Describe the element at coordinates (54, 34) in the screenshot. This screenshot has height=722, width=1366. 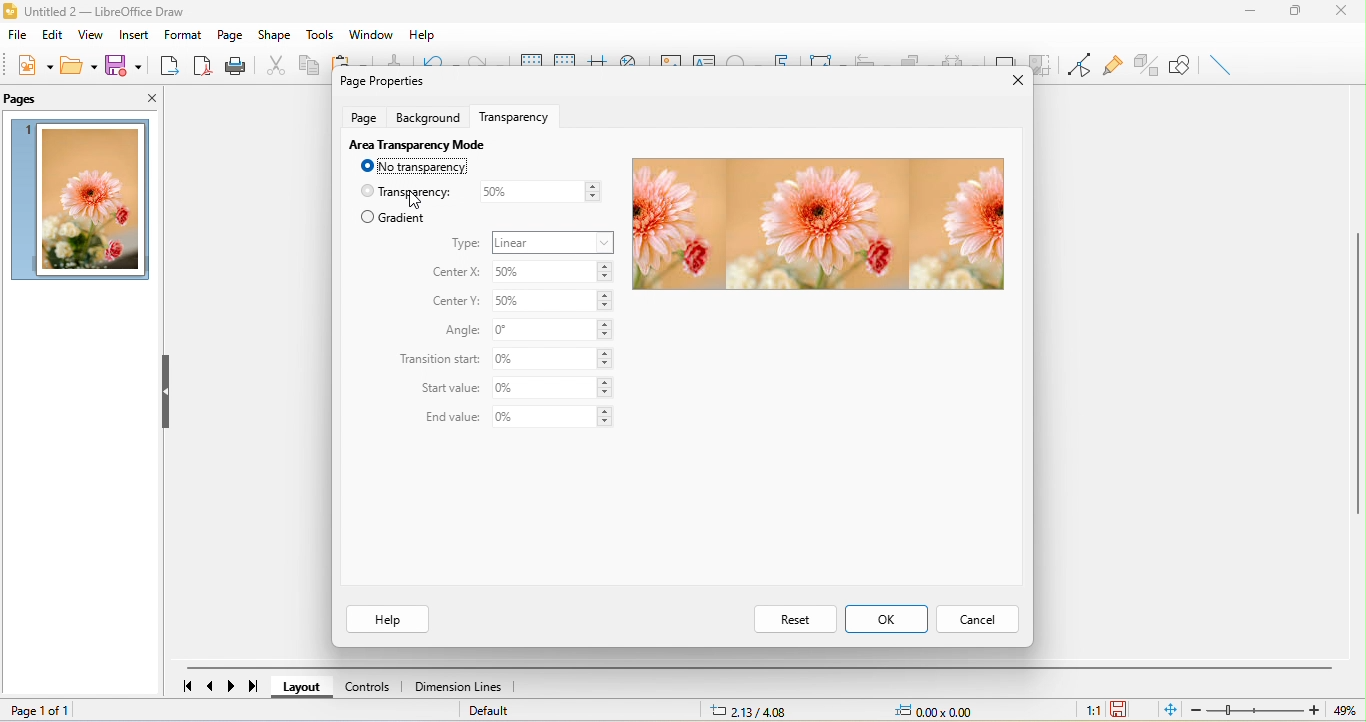
I see `edit` at that location.